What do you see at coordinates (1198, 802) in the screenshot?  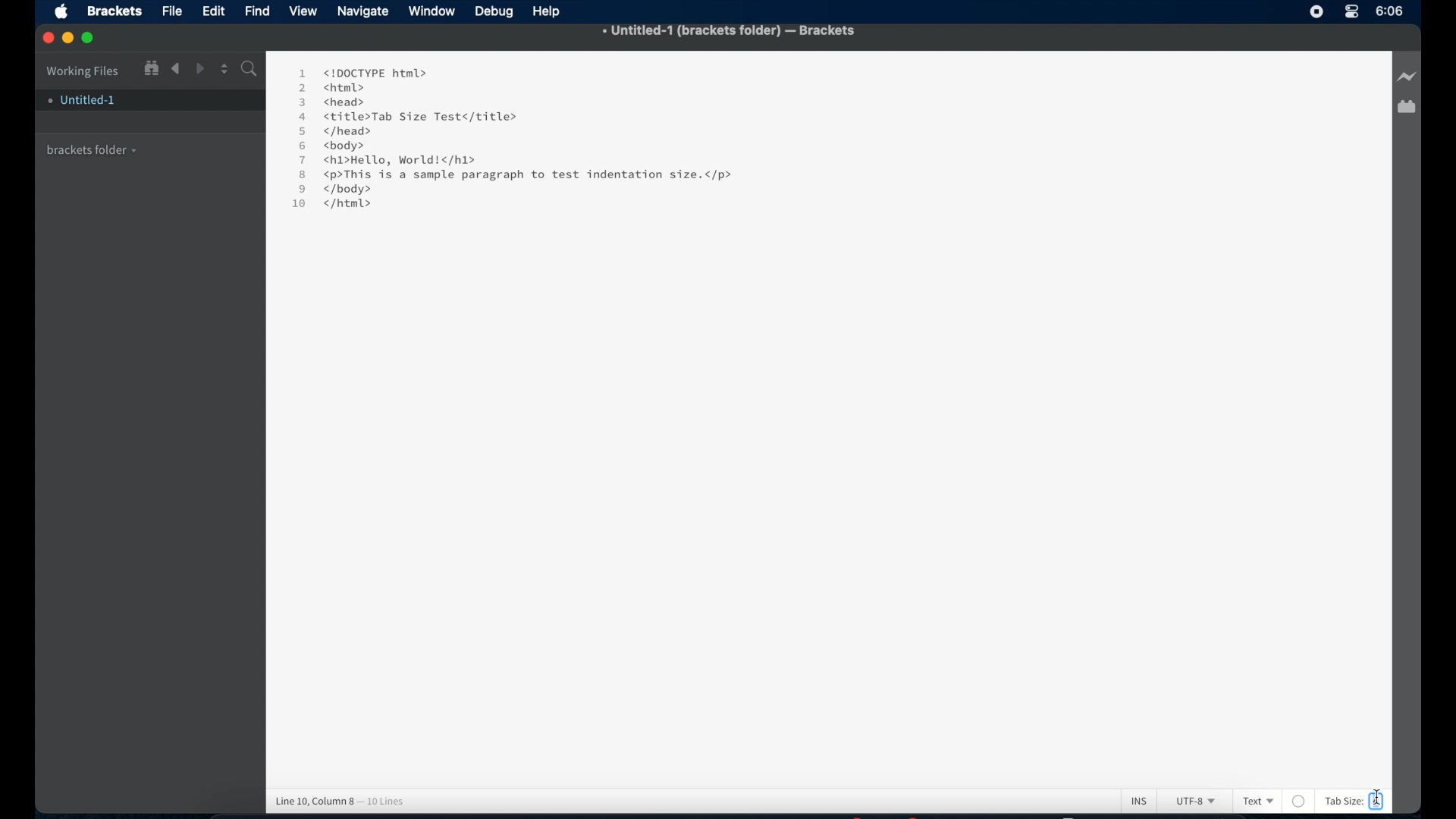 I see `UTF-8` at bounding box center [1198, 802].